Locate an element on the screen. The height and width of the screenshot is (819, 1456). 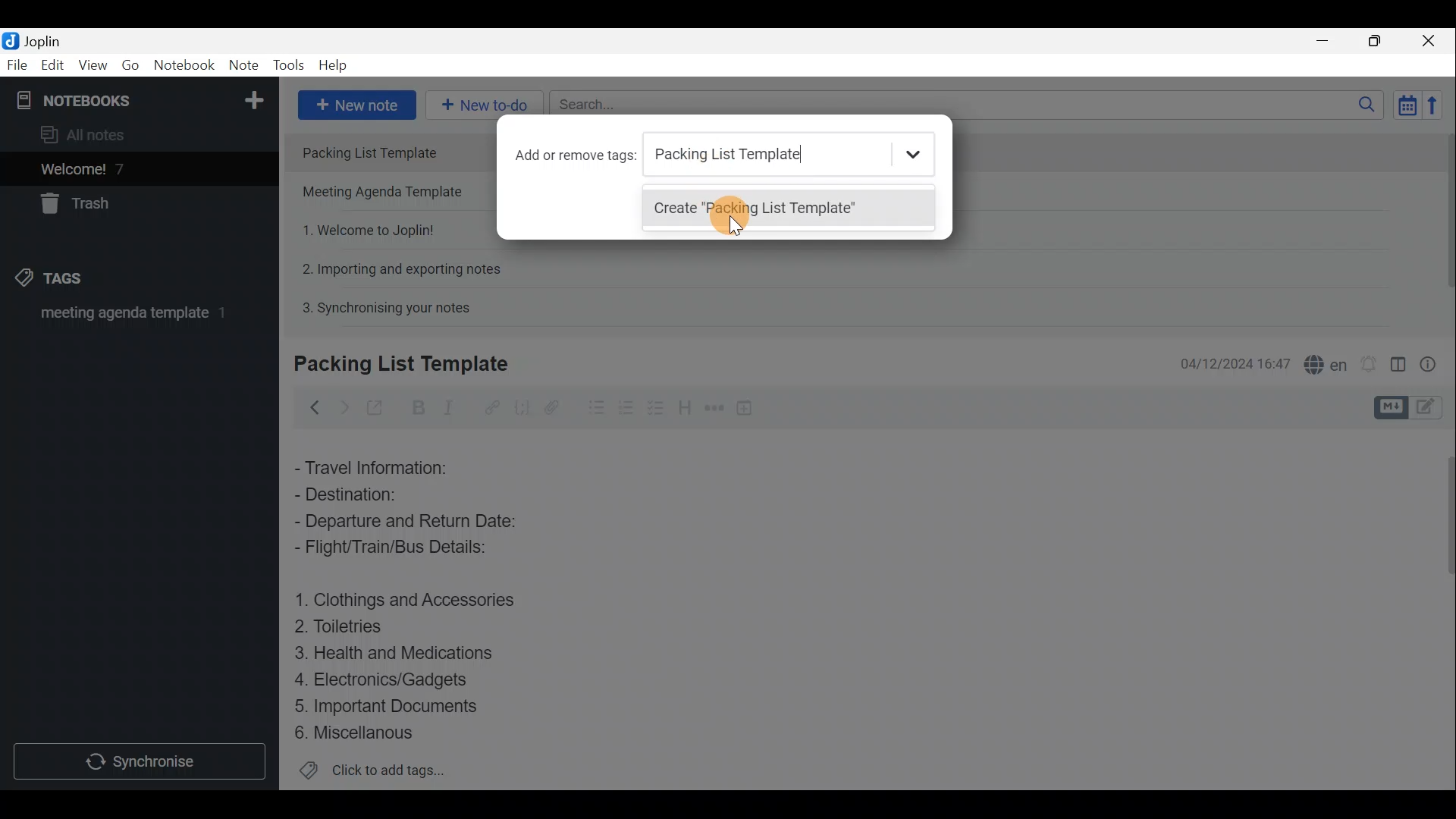
Create "Packing list template" is located at coordinates (766, 209).